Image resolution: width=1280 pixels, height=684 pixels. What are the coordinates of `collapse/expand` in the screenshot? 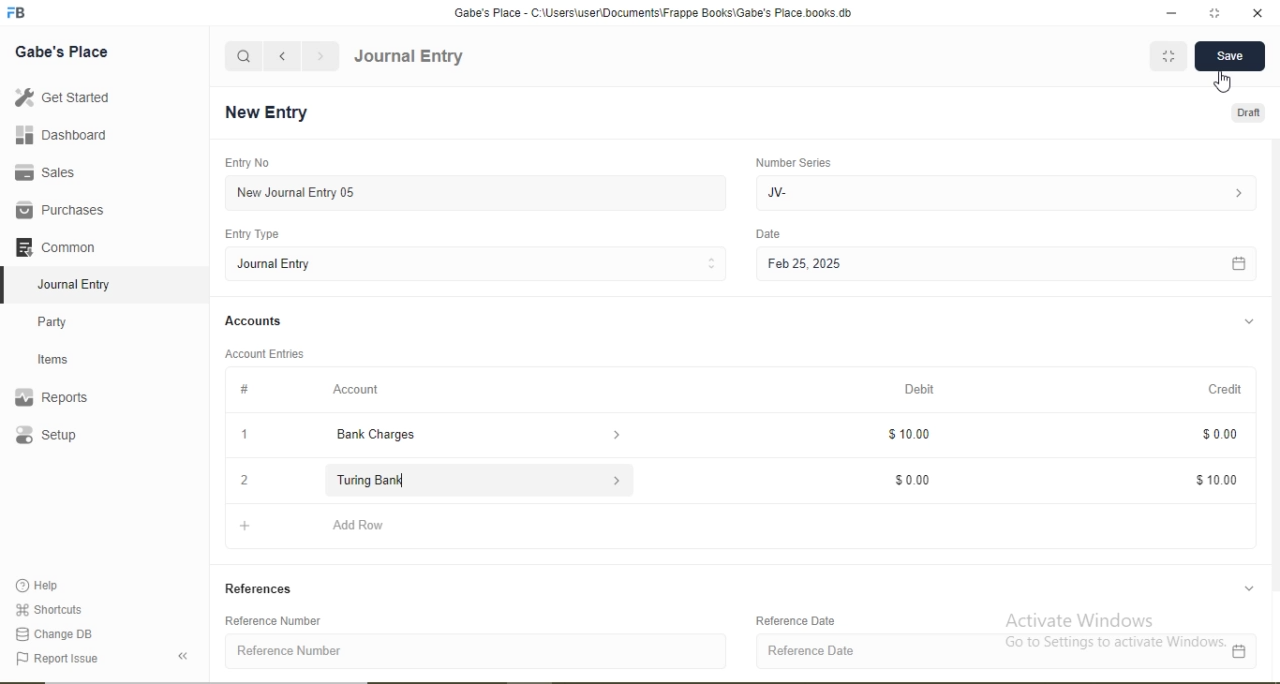 It's located at (1249, 322).